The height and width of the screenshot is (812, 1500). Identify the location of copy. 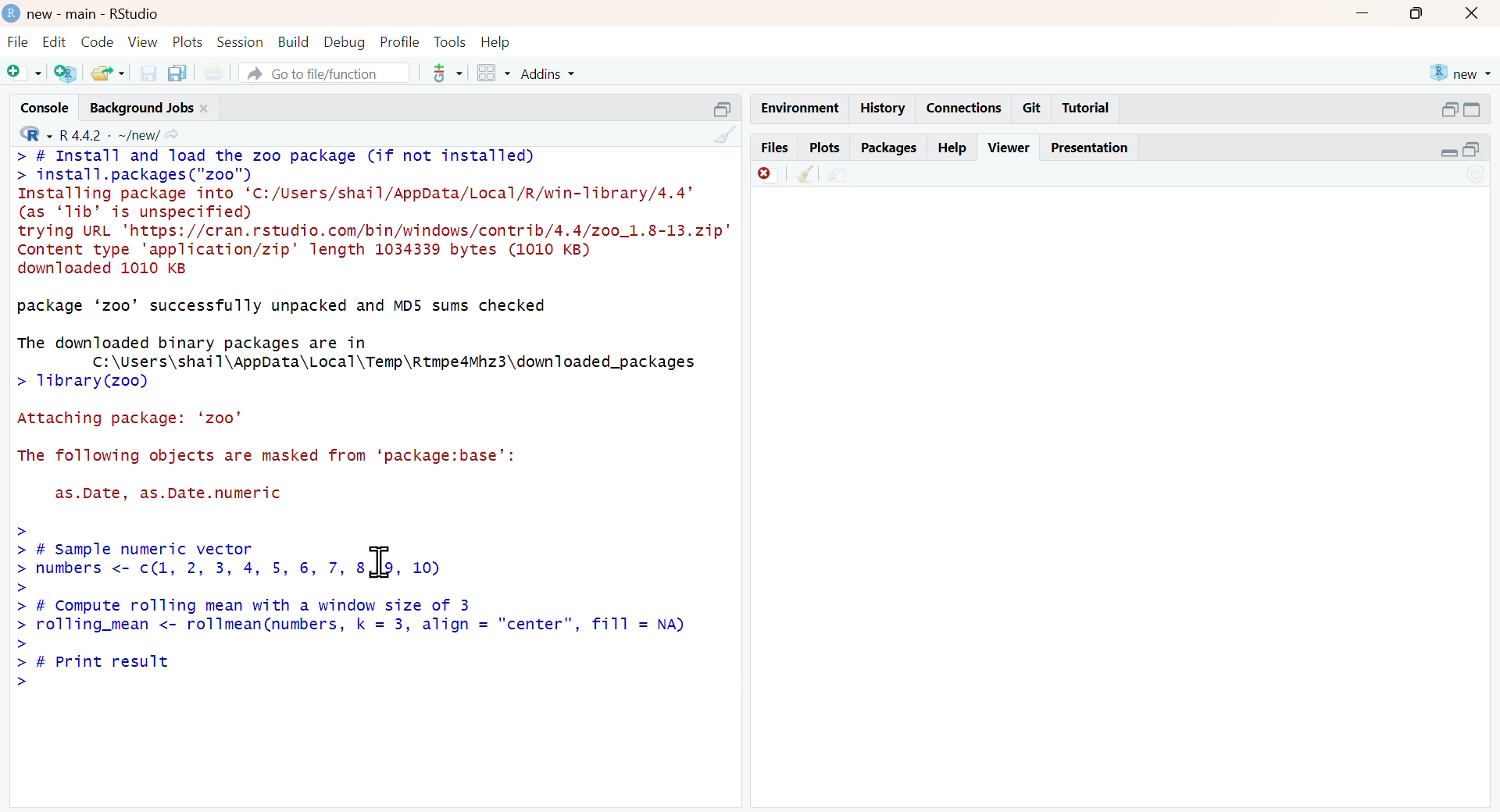
(178, 71).